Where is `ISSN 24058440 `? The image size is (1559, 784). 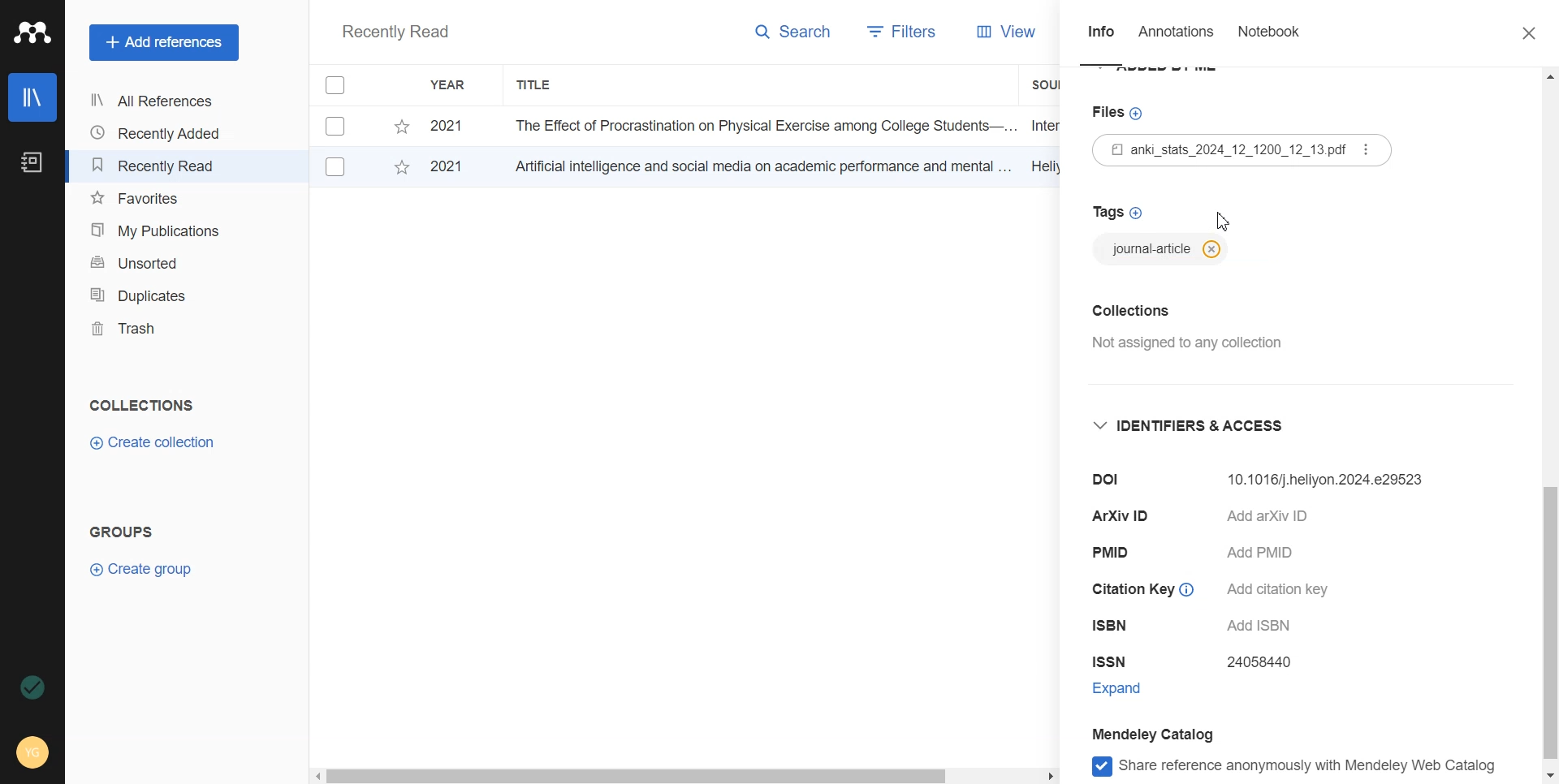 ISSN 24058440  is located at coordinates (1200, 663).